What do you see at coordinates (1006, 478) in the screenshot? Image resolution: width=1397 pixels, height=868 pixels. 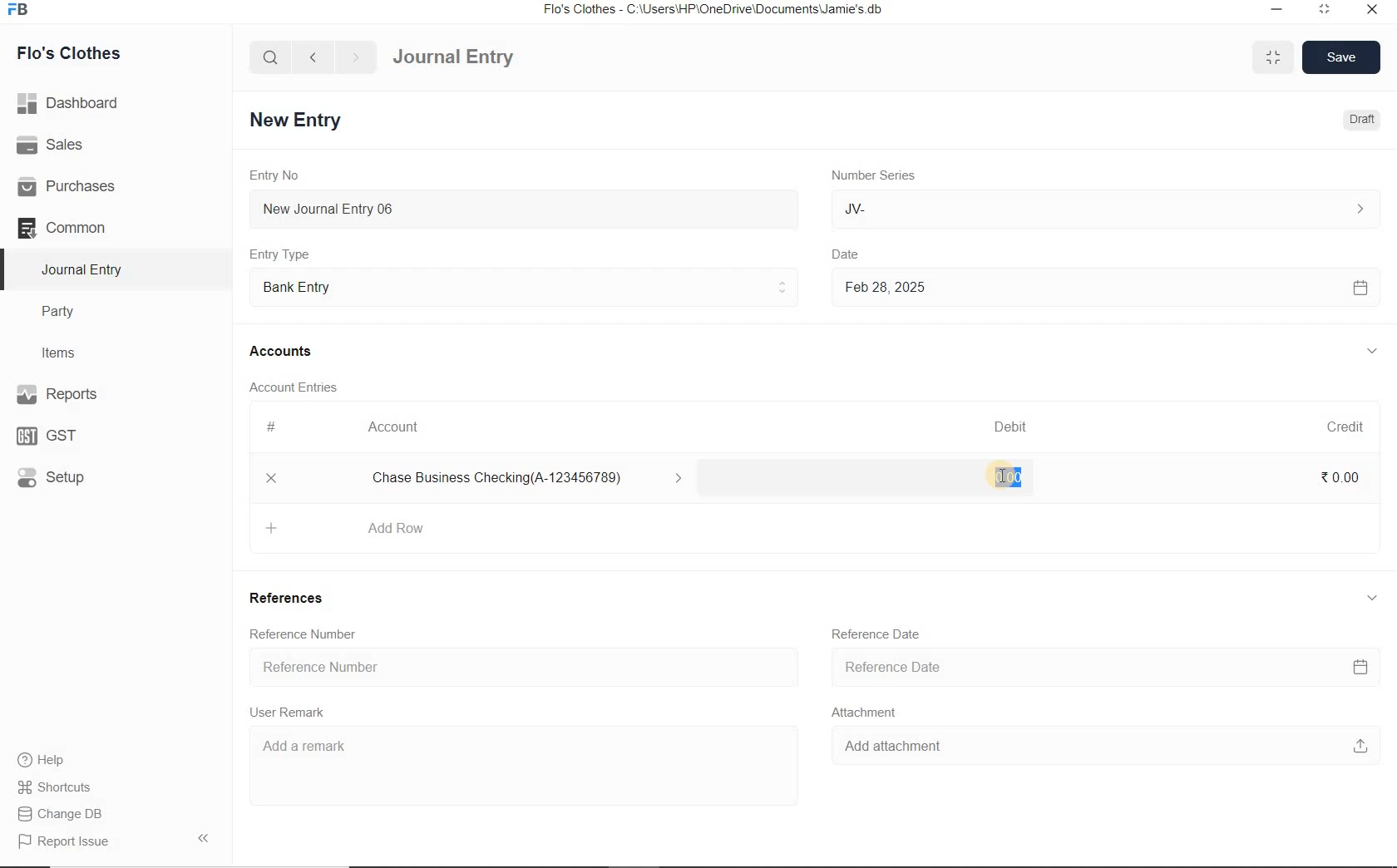 I see `cursor` at bounding box center [1006, 478].